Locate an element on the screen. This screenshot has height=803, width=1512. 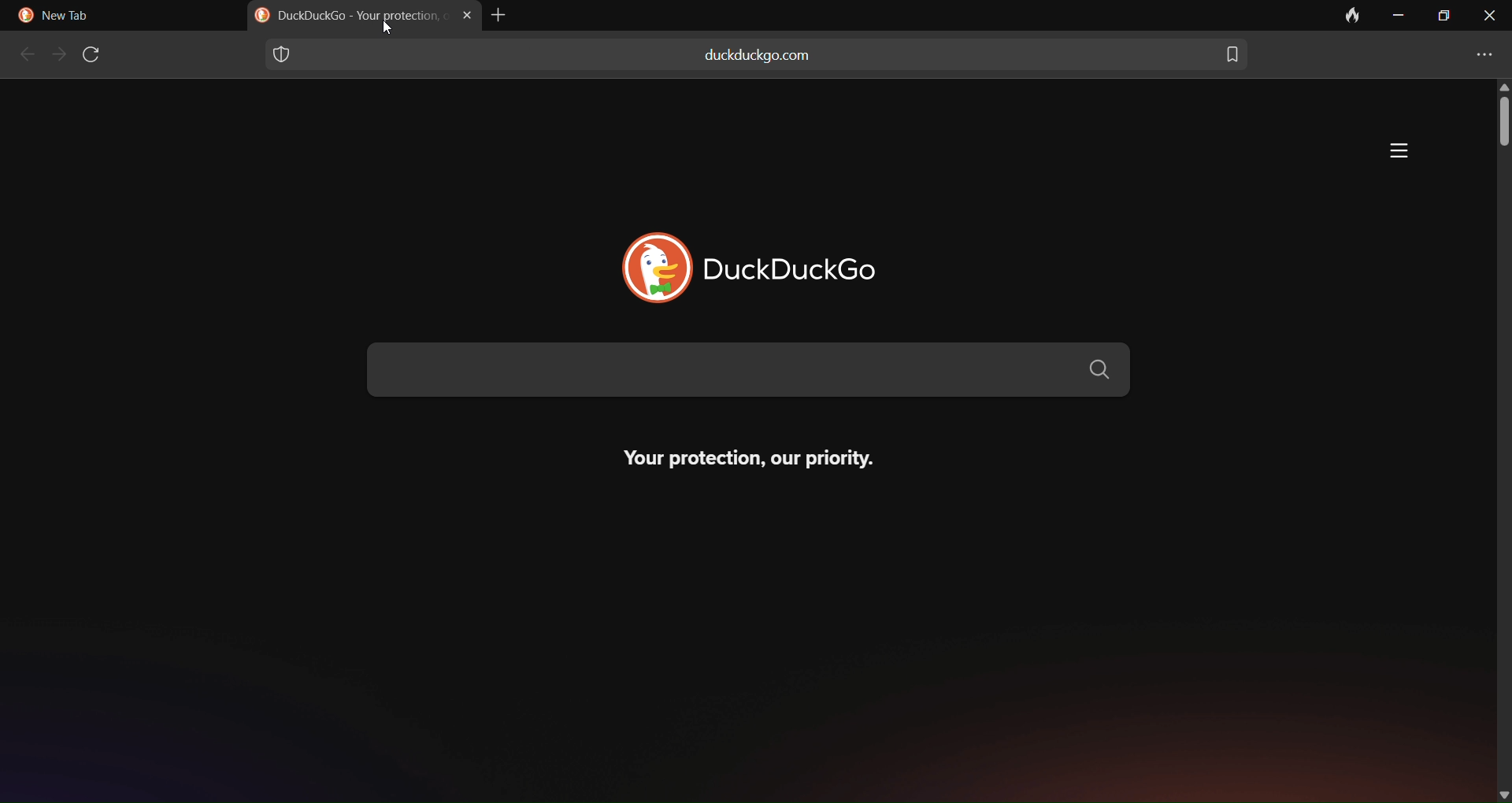
cursor is located at coordinates (388, 28).